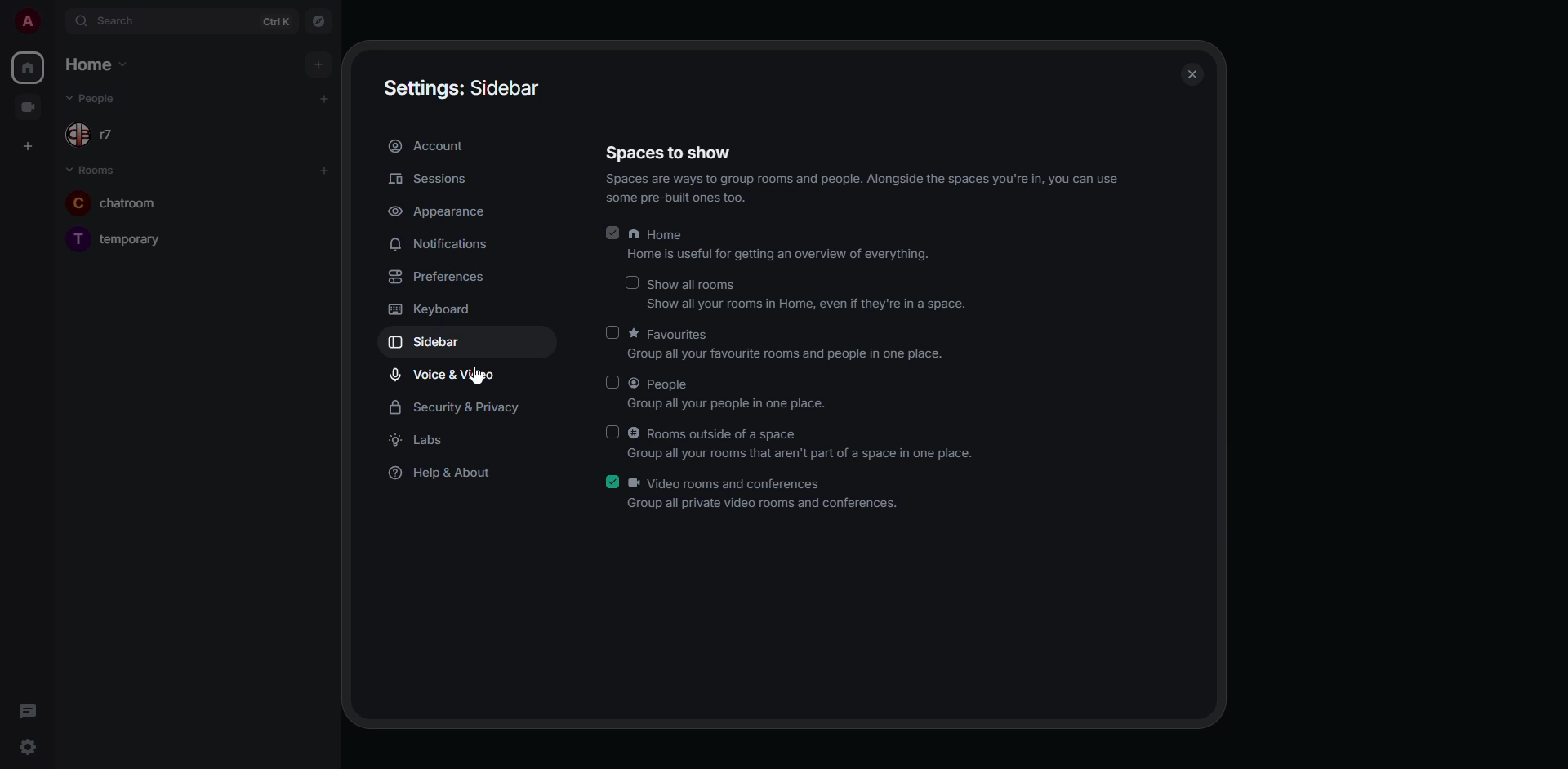  Describe the element at coordinates (93, 63) in the screenshot. I see `home` at that location.